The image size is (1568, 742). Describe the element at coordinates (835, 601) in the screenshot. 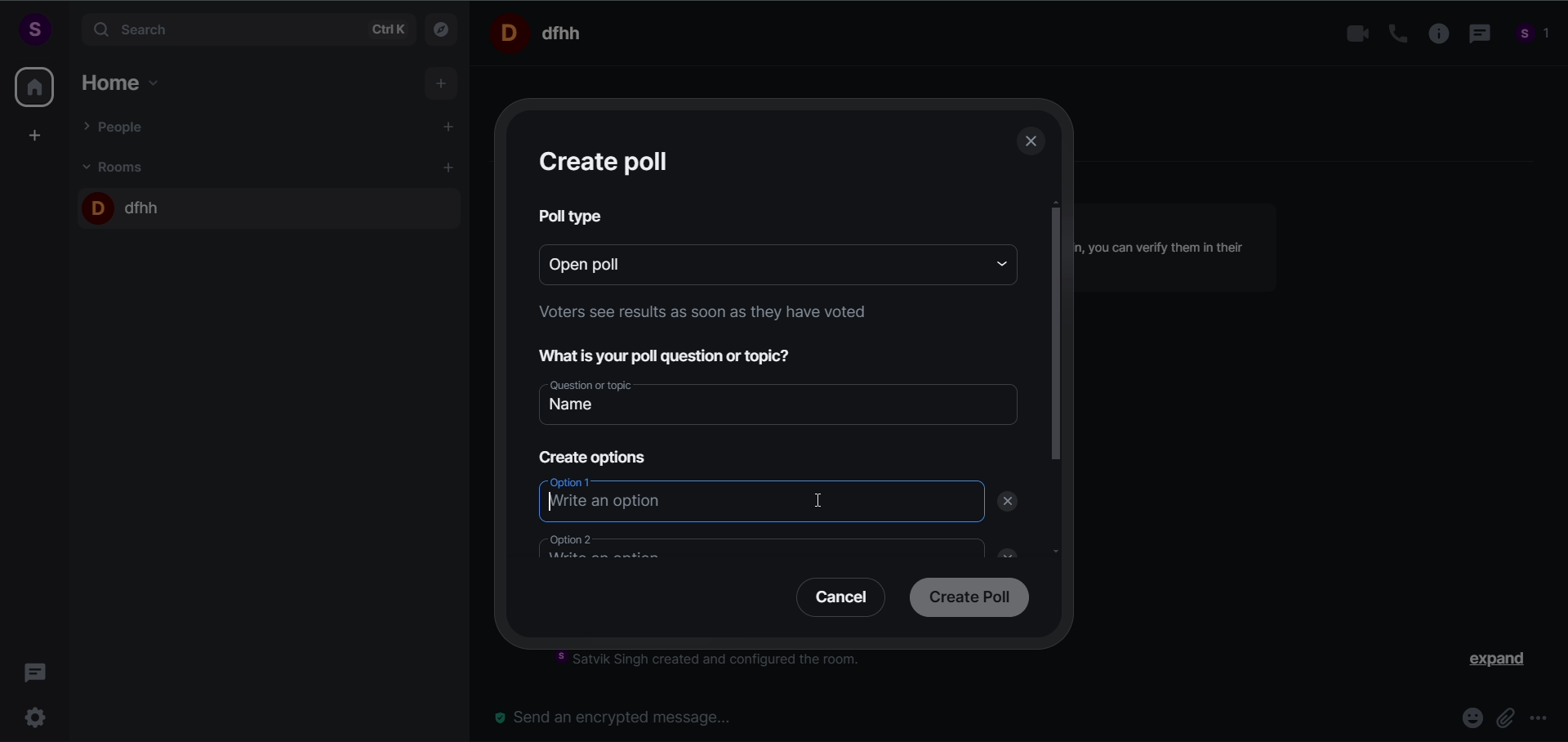

I see `cancel` at that location.